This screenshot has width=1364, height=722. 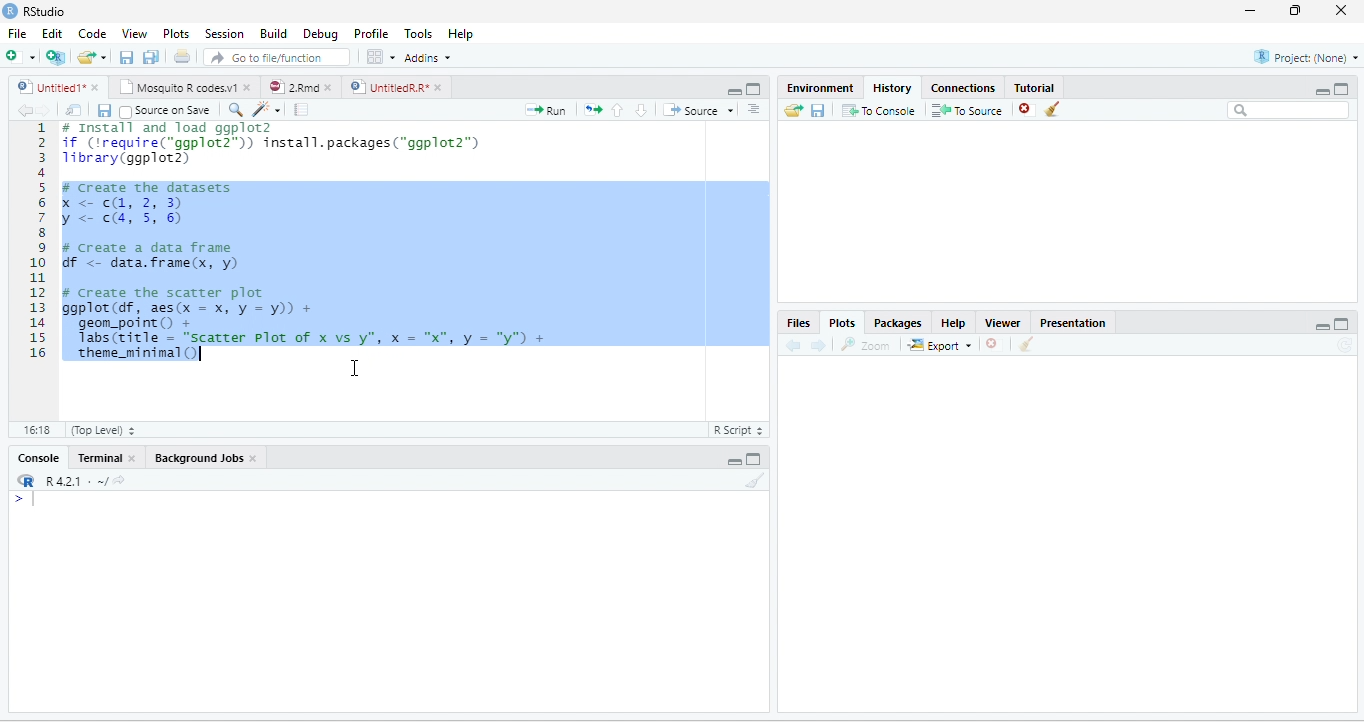 What do you see at coordinates (438, 87) in the screenshot?
I see `close` at bounding box center [438, 87].